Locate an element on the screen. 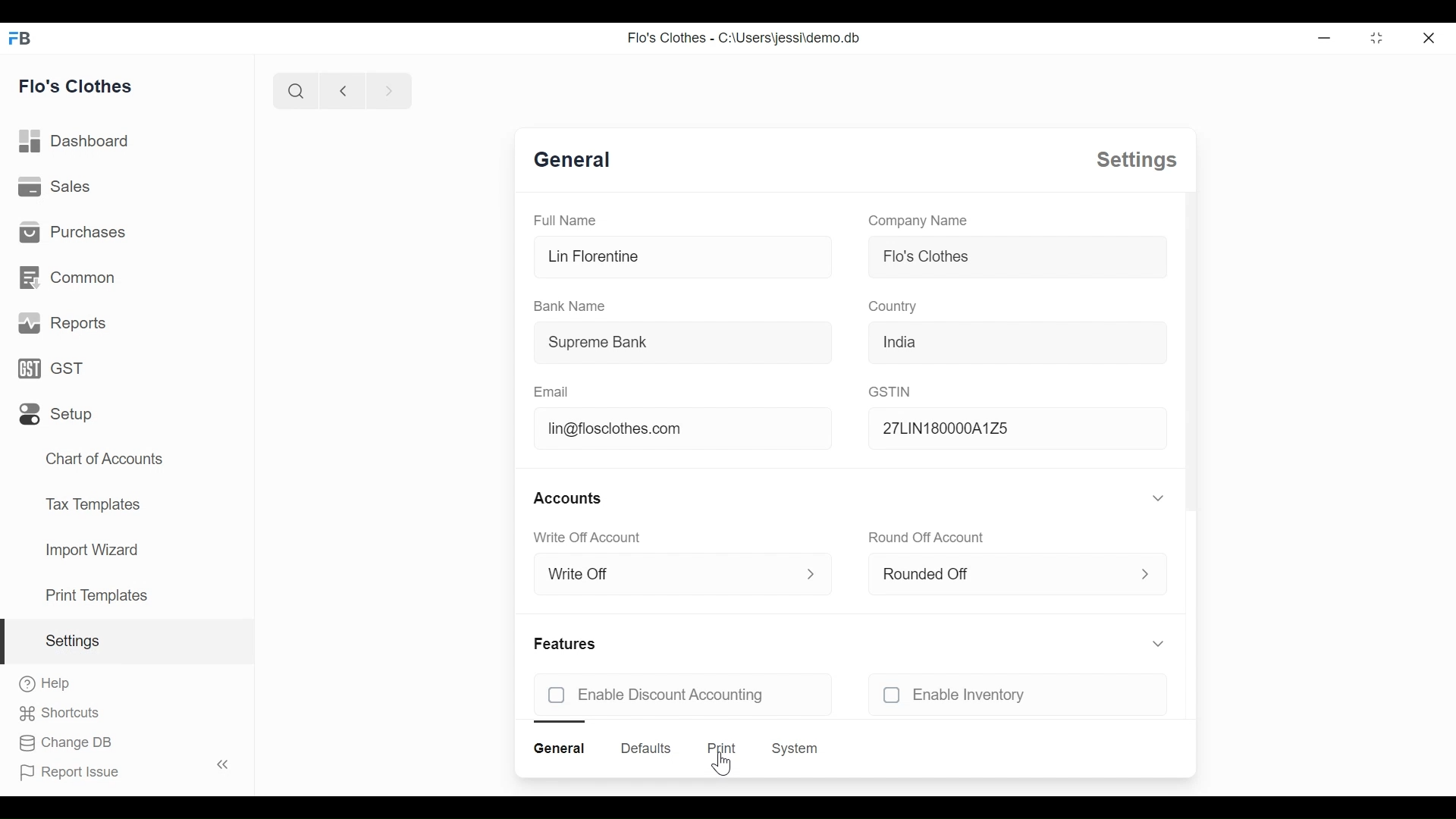 The image size is (1456, 819). cursor is located at coordinates (721, 764).